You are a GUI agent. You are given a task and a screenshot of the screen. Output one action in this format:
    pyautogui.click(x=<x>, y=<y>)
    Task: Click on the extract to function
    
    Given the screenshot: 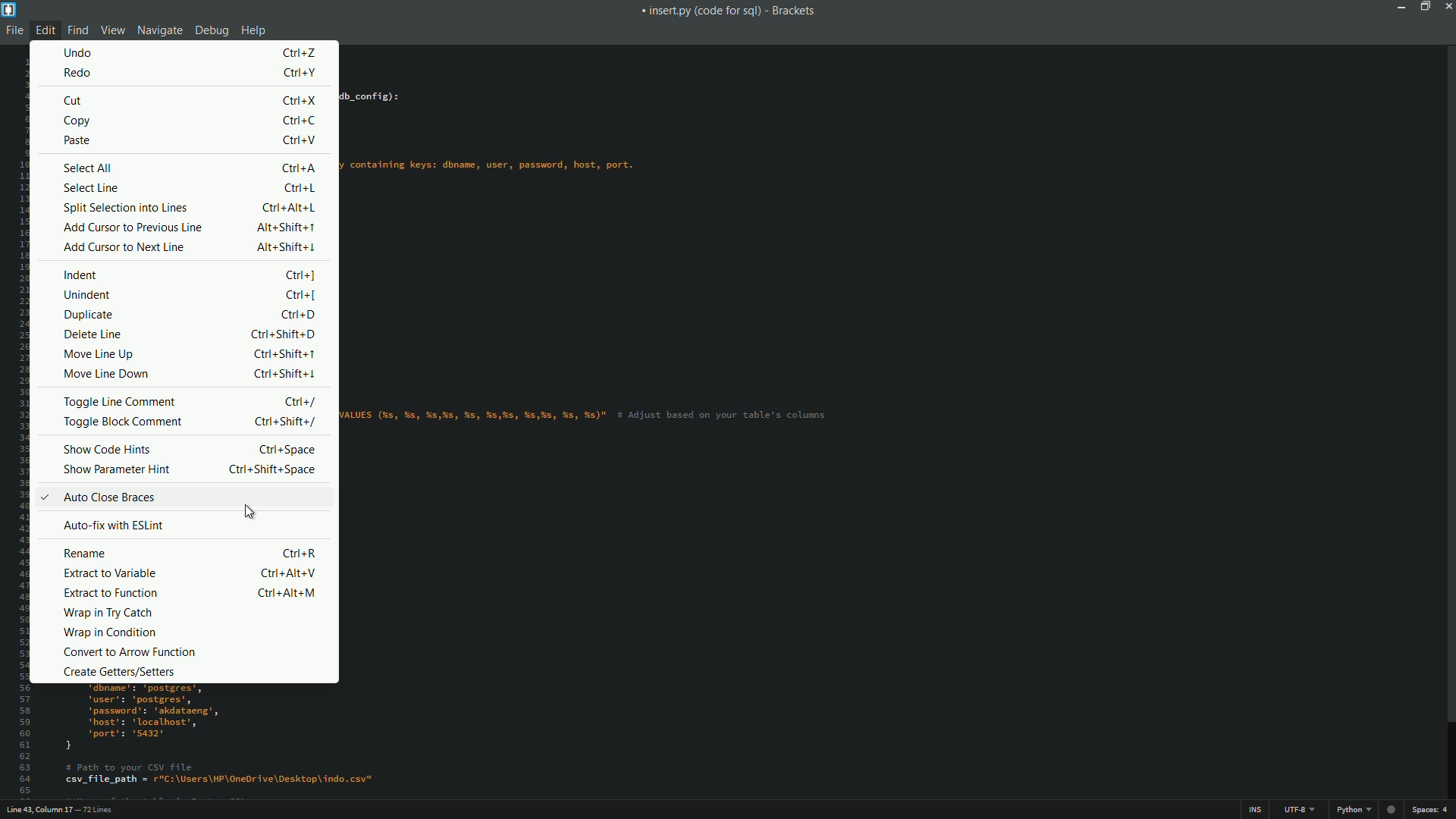 What is the action you would take?
    pyautogui.click(x=110, y=593)
    